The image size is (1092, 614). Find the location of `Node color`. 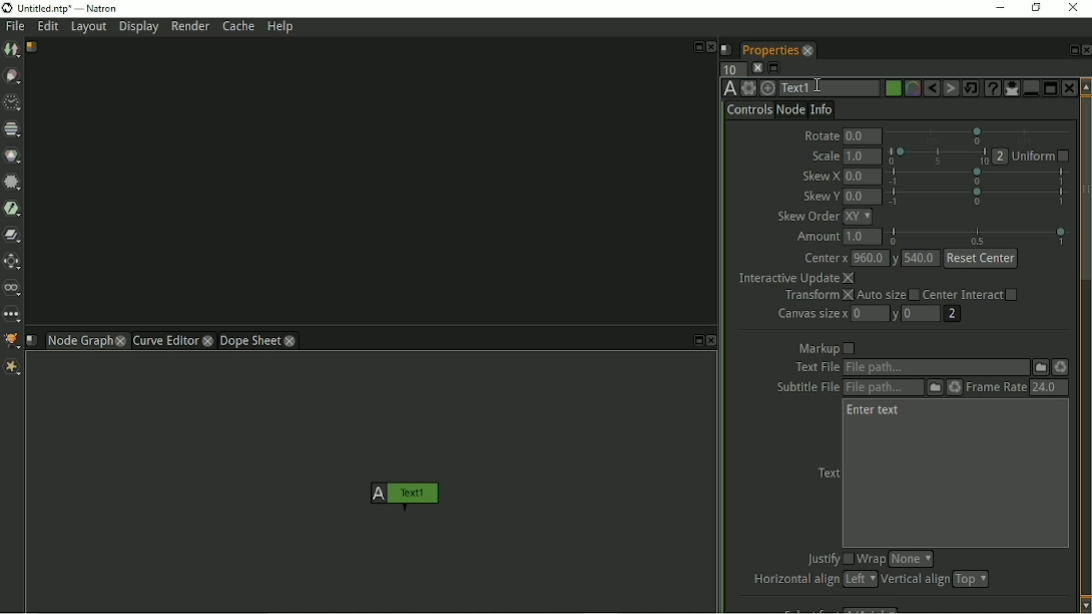

Node color is located at coordinates (891, 89).